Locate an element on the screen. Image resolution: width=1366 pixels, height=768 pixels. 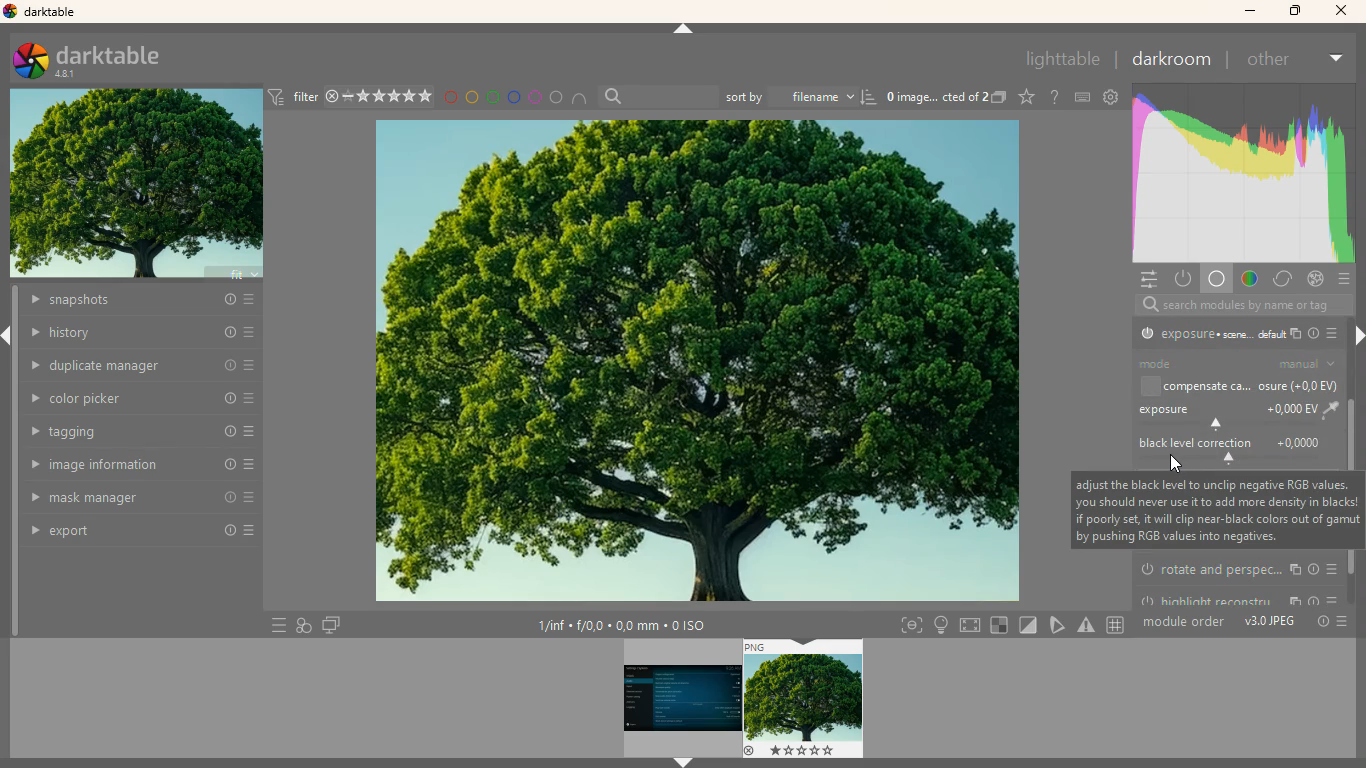
image description is located at coordinates (937, 95).